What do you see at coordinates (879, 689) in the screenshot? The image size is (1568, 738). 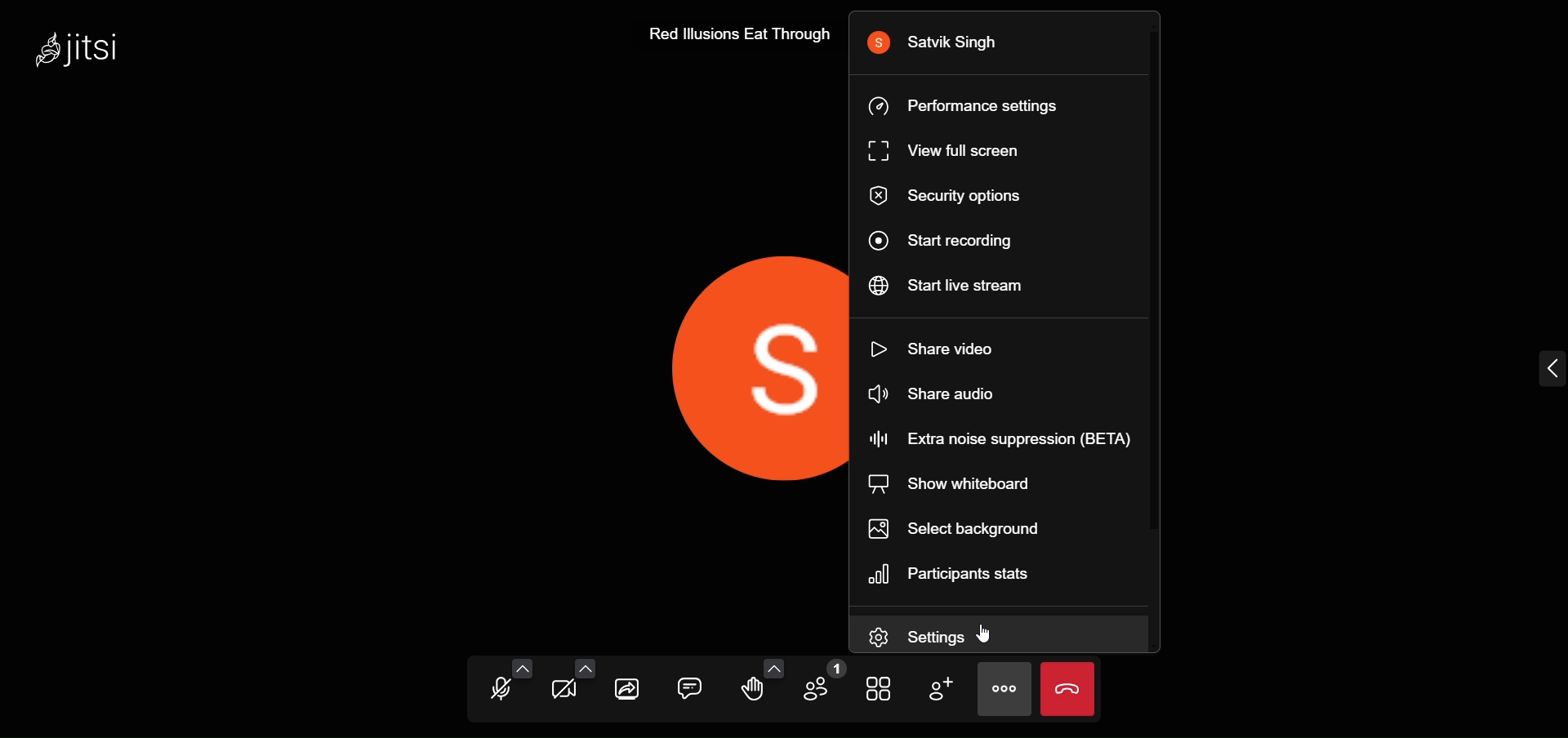 I see `tile view` at bounding box center [879, 689].